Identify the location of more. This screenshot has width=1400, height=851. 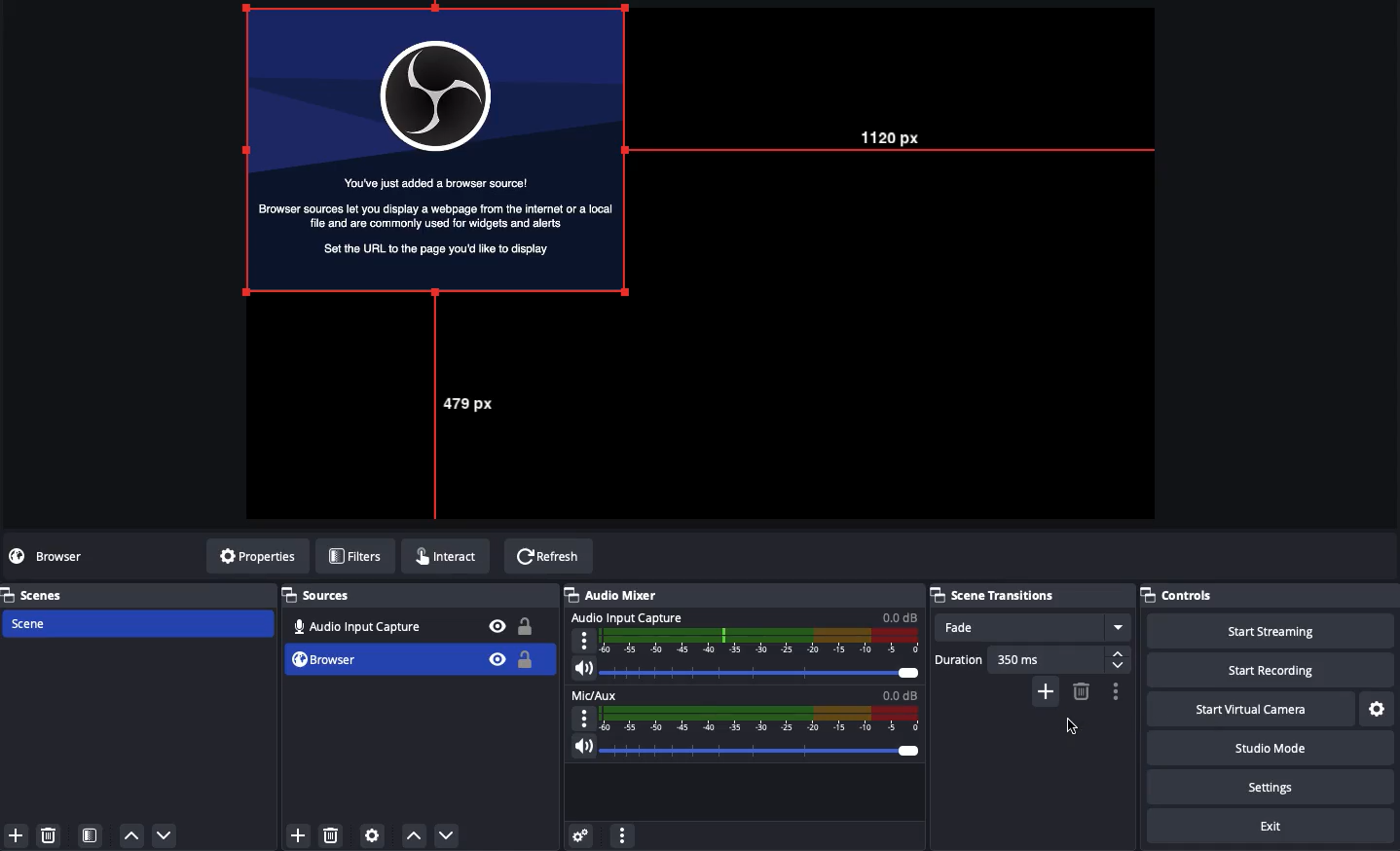
(1117, 625).